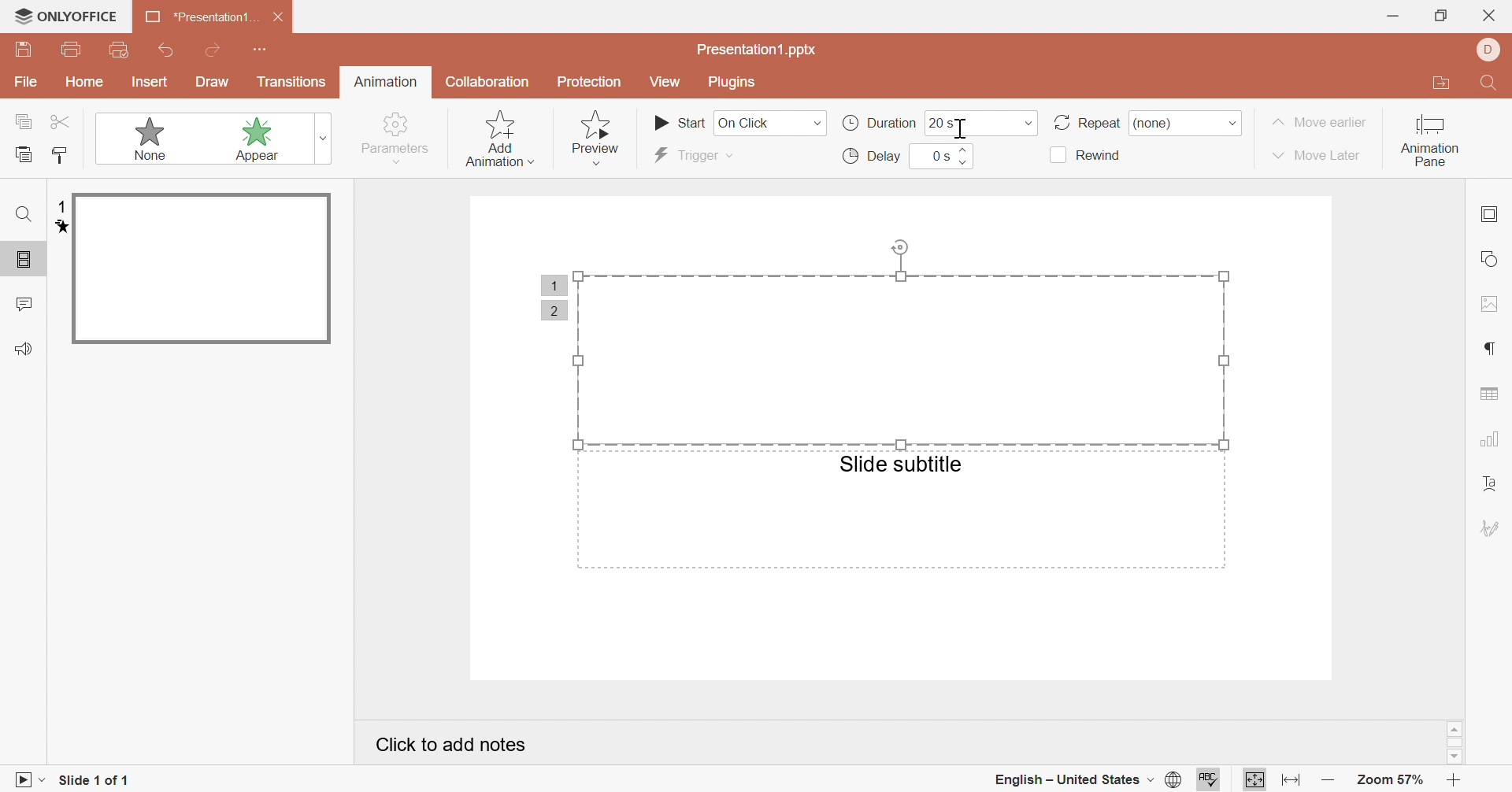  Describe the element at coordinates (291, 83) in the screenshot. I see `transitions` at that location.